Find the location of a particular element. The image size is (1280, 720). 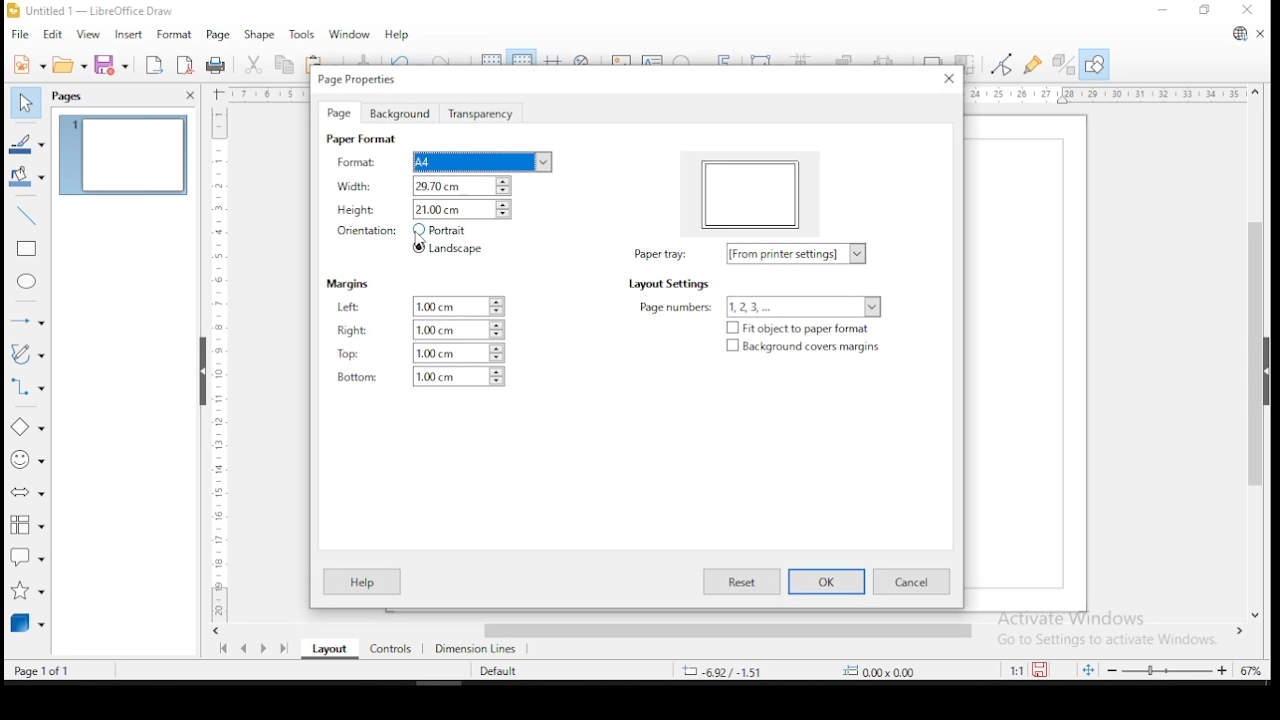

Page Info is located at coordinates (57, 670).